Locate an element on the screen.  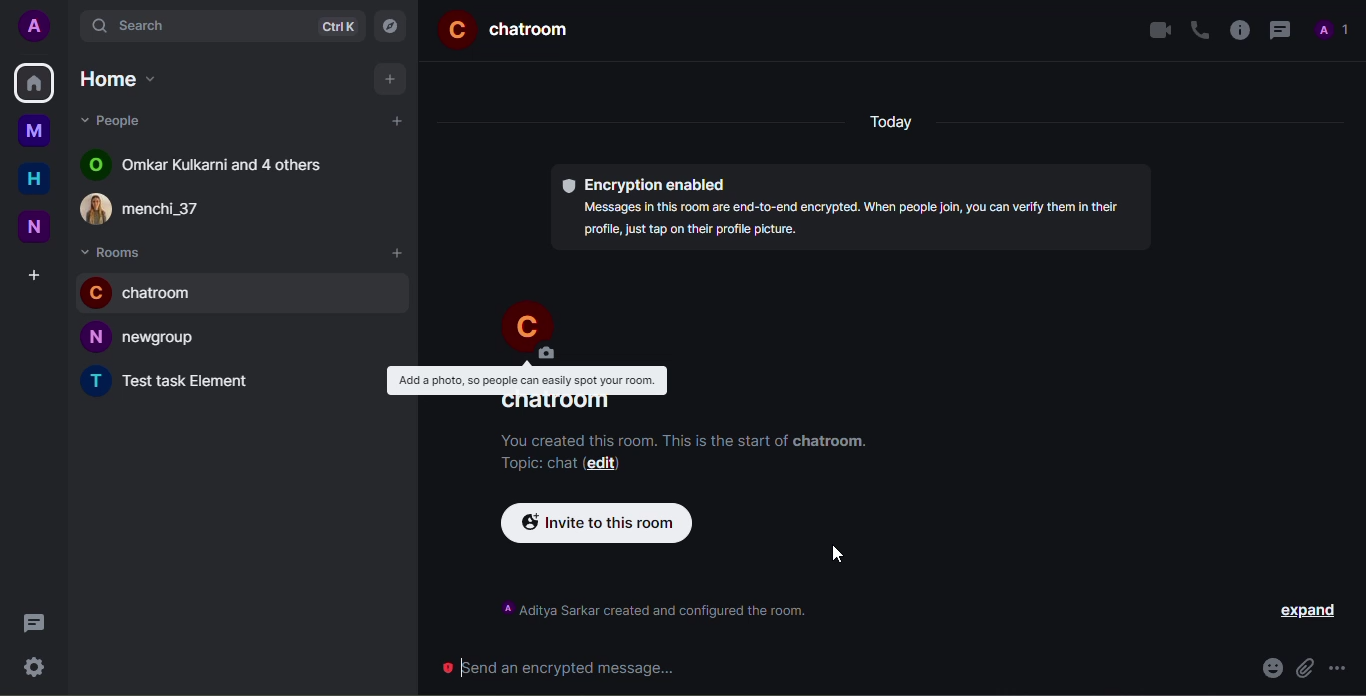
You created this room. This is the start of chatroom. is located at coordinates (687, 438).